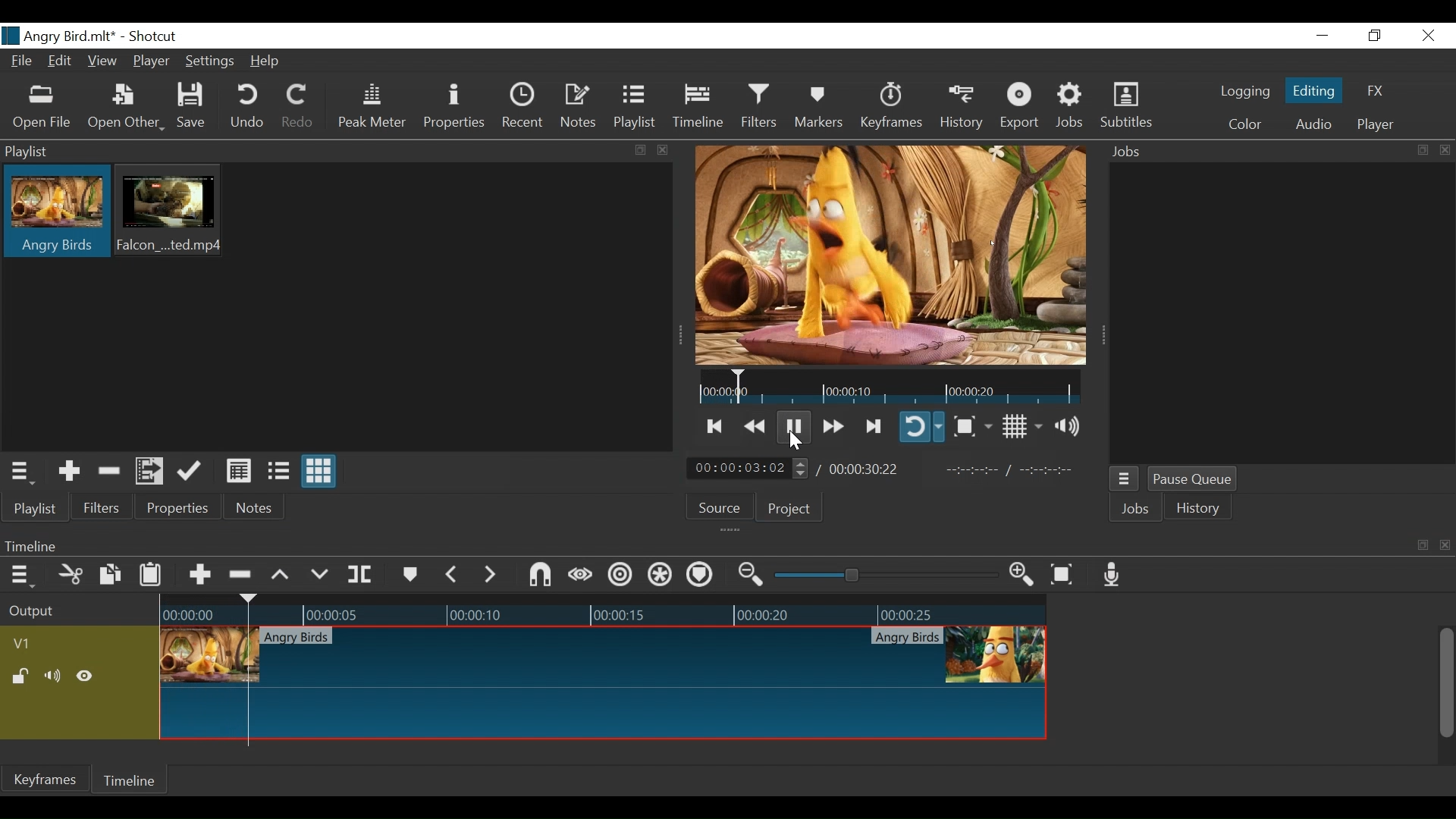  I want to click on Append, so click(201, 573).